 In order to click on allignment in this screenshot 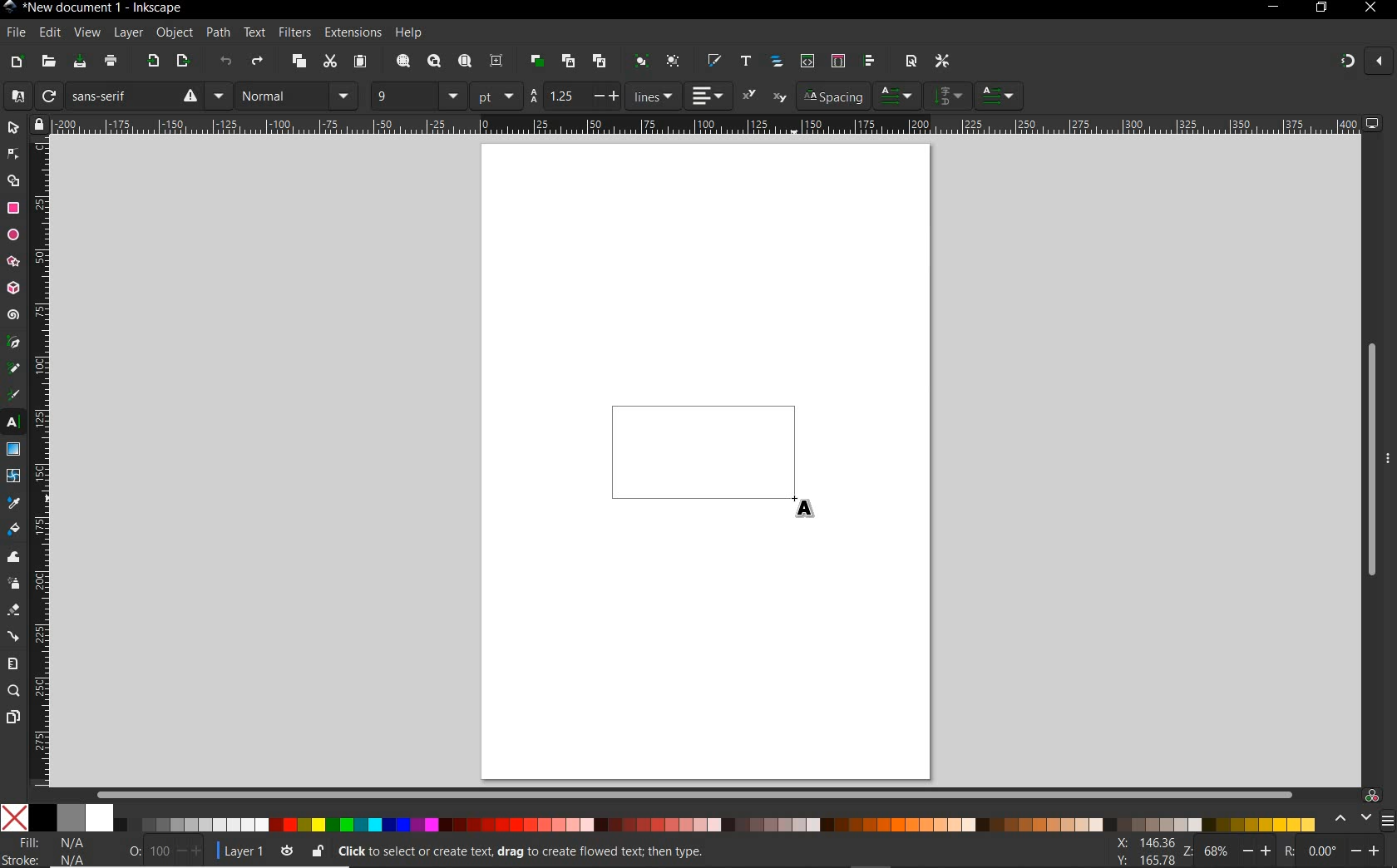, I will do `click(708, 96)`.